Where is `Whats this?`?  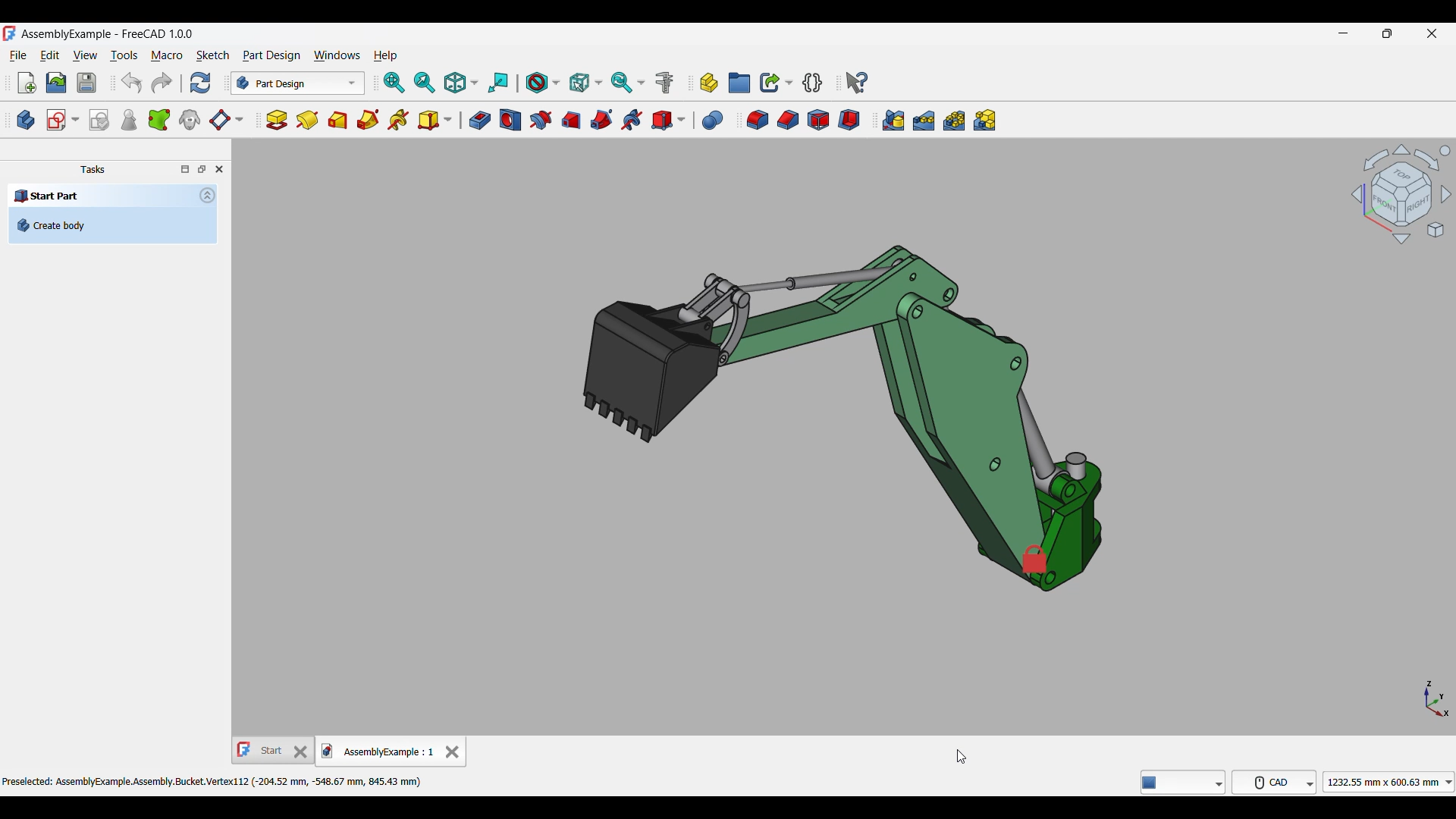 Whats this? is located at coordinates (857, 83).